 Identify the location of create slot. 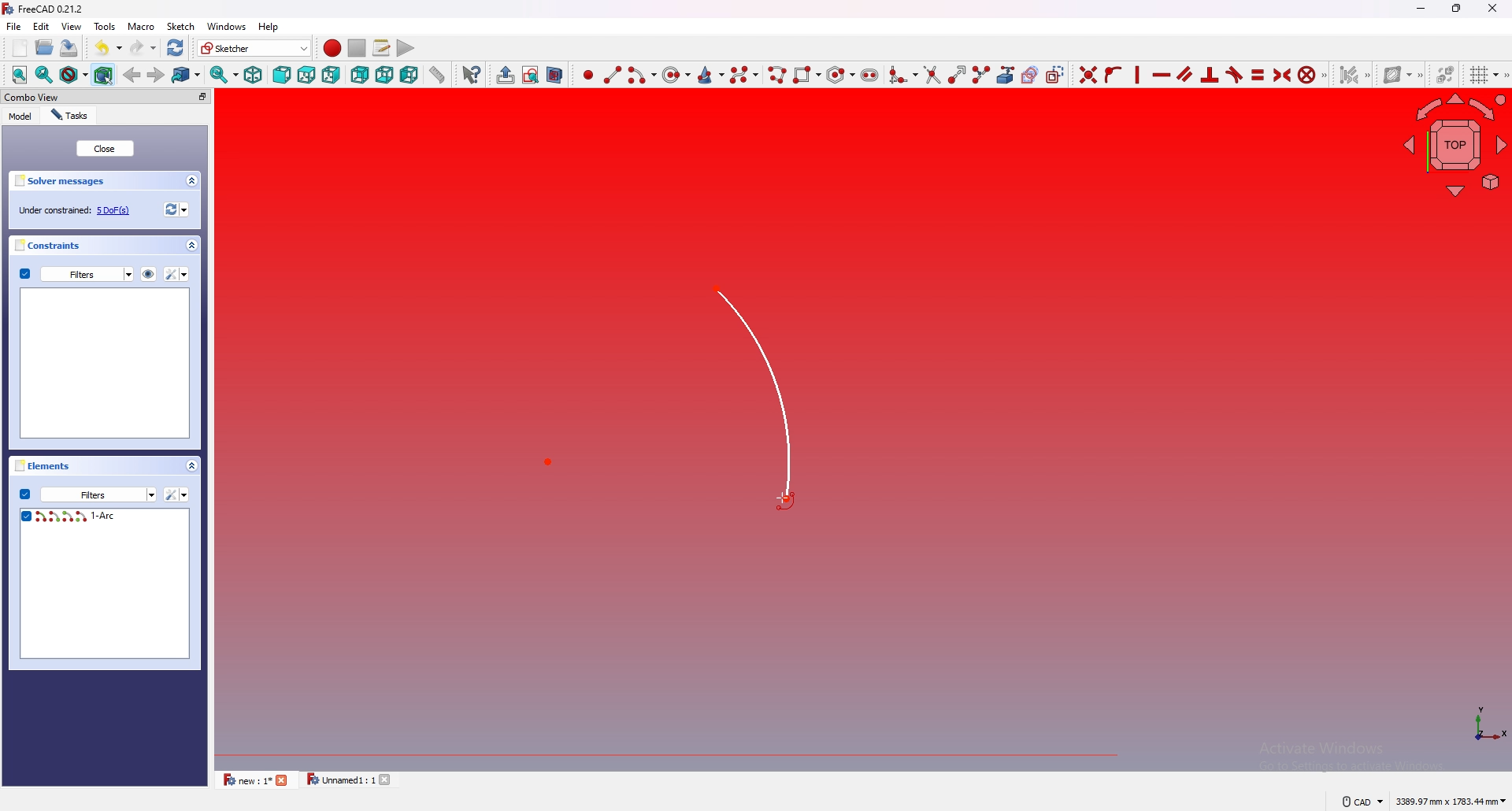
(870, 75).